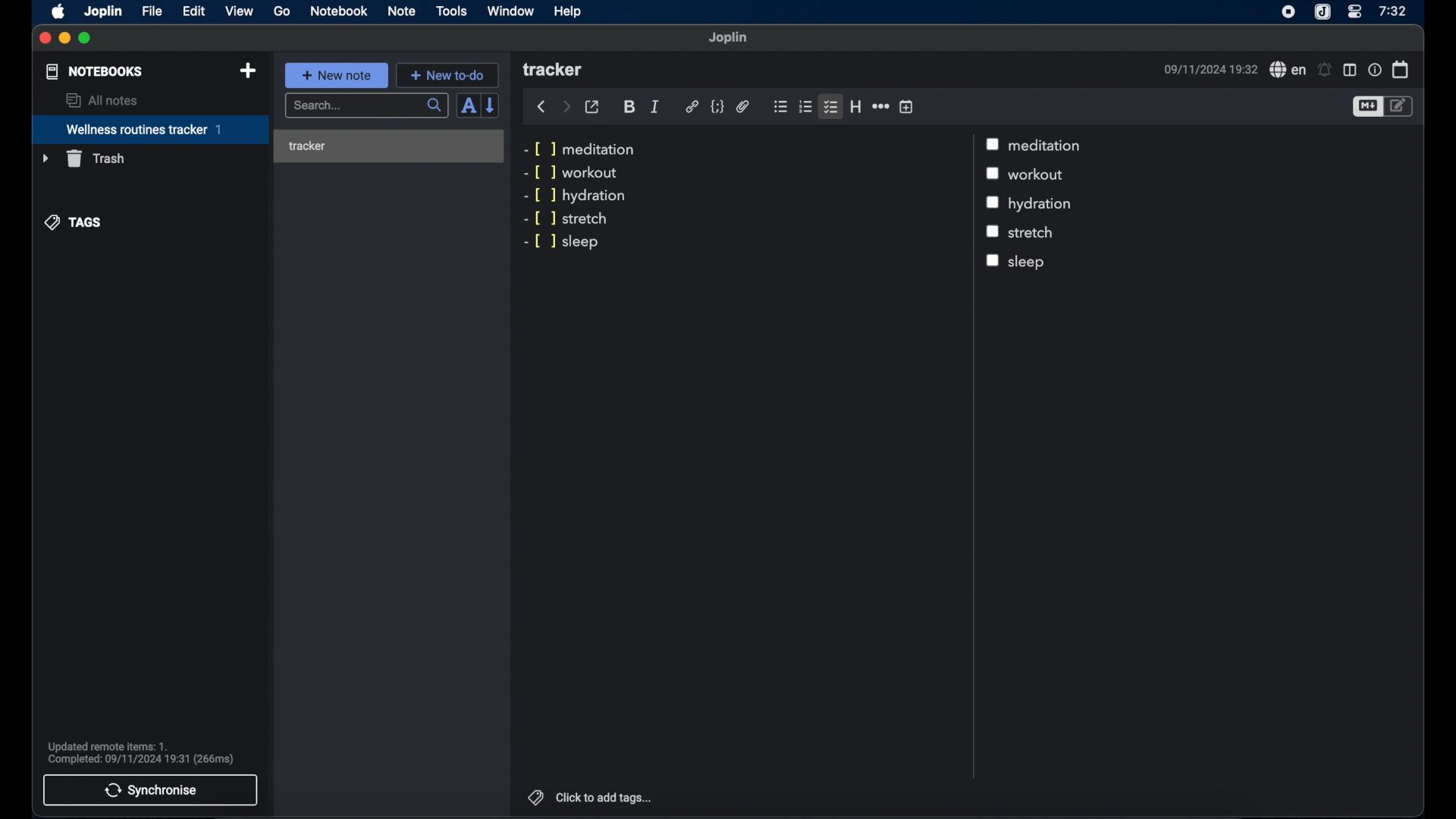  I want to click on bold, so click(629, 108).